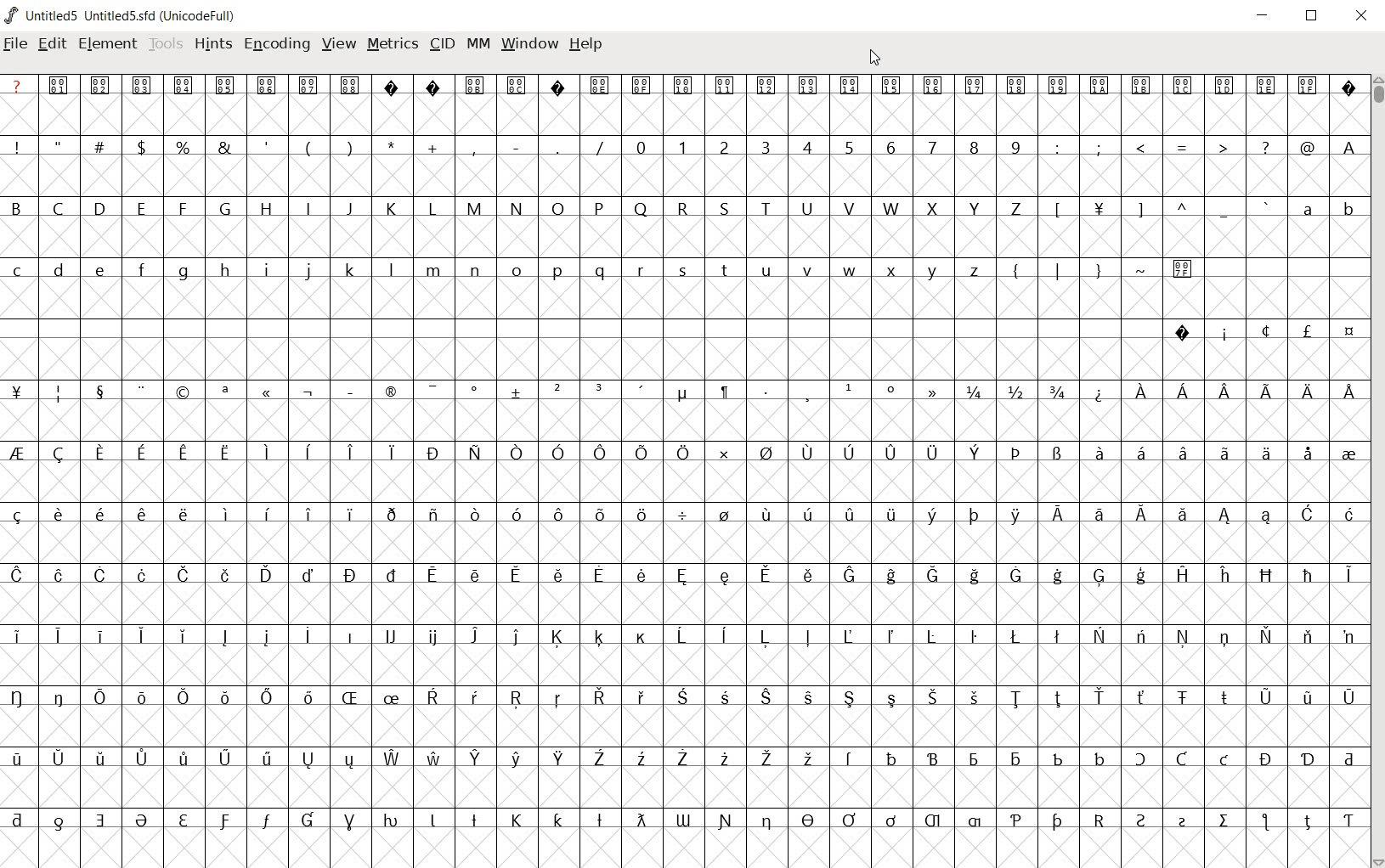  I want to click on p, so click(557, 272).